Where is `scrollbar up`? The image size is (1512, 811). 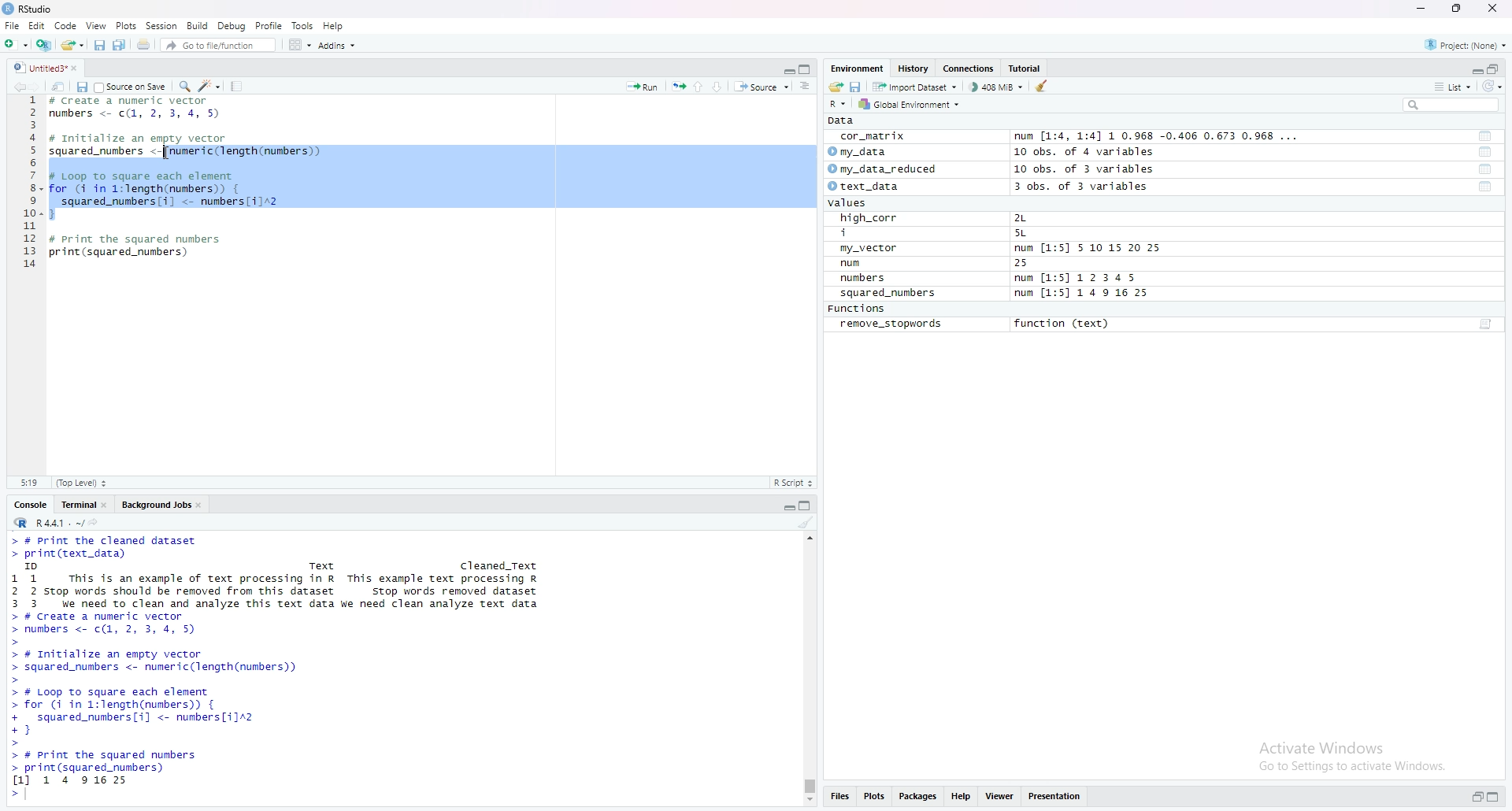 scrollbar up is located at coordinates (808, 536).